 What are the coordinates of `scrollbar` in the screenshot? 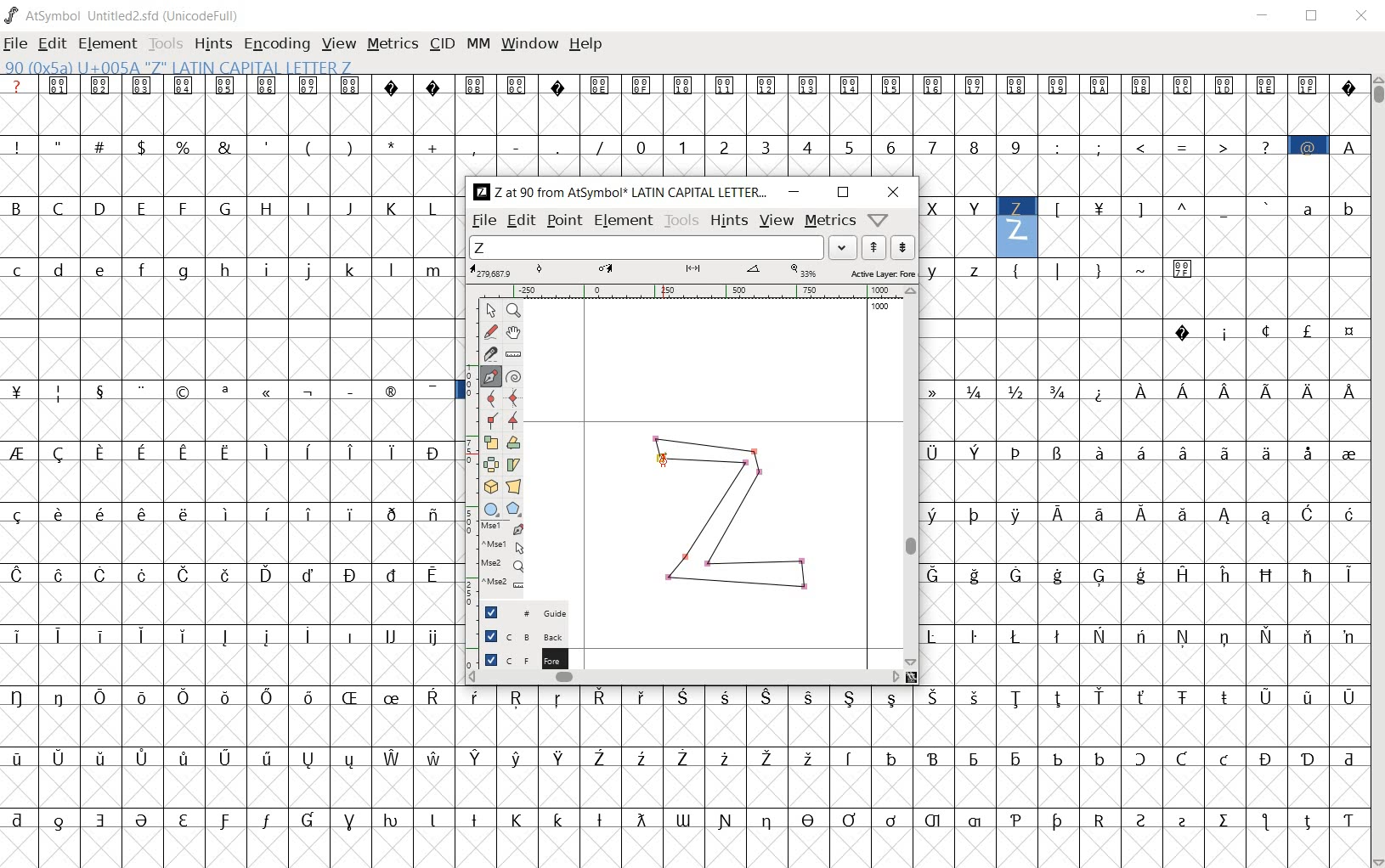 It's located at (1377, 470).